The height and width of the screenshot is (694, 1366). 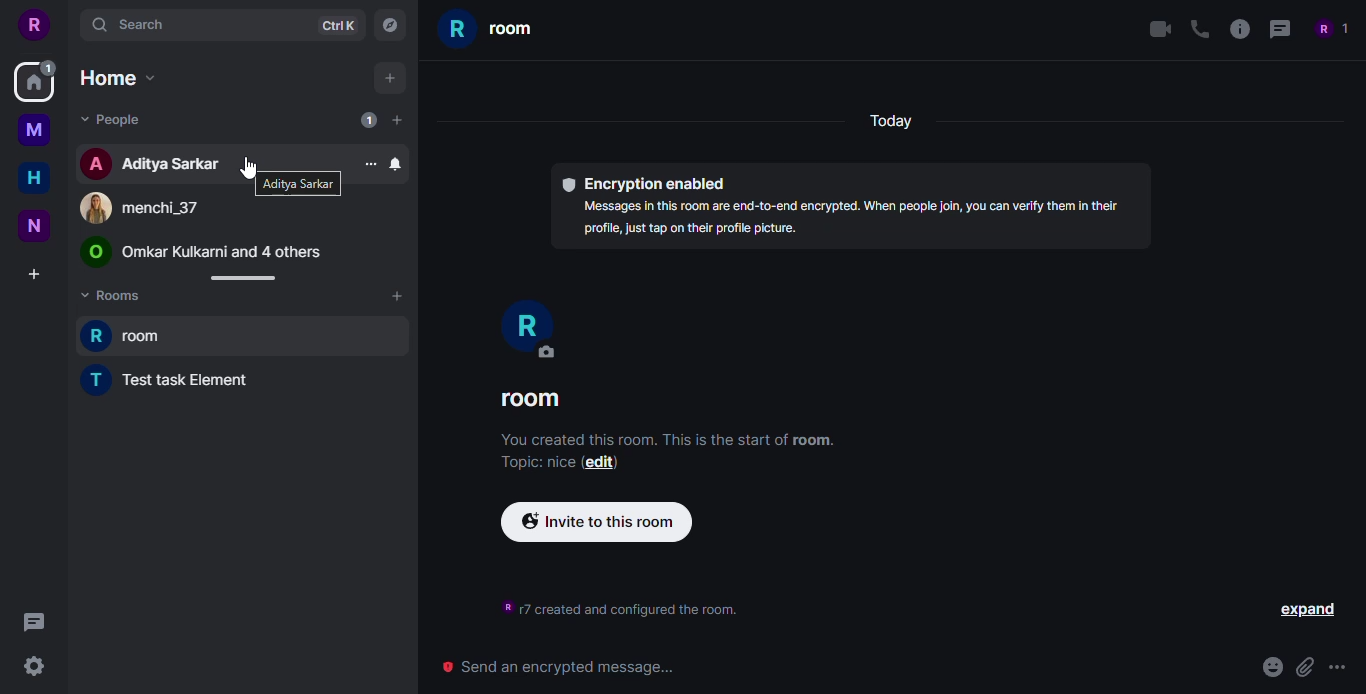 What do you see at coordinates (239, 278) in the screenshot?
I see `adjust` at bounding box center [239, 278].